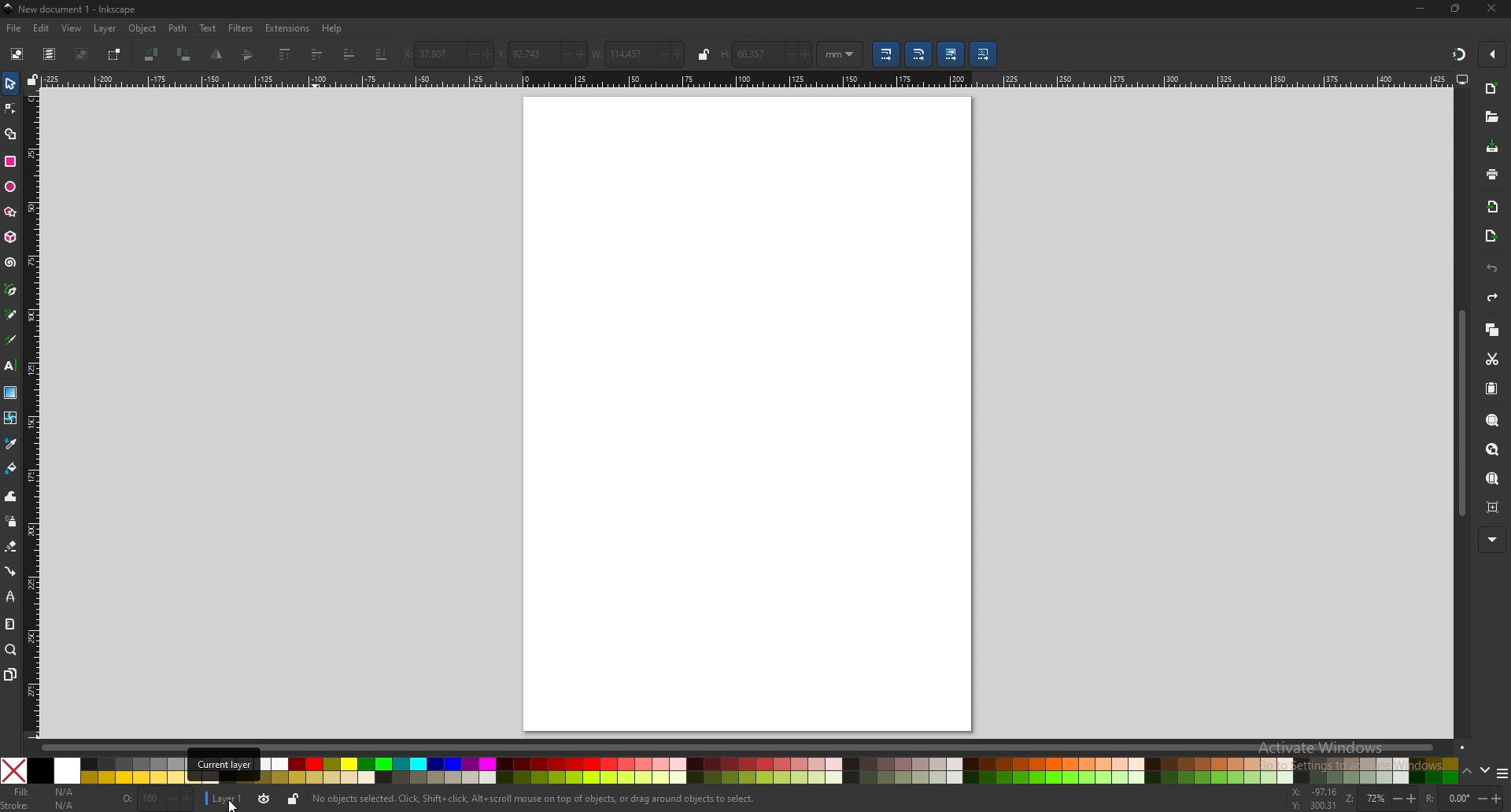  What do you see at coordinates (151, 55) in the screenshot?
I see `rotate 90 degree ccw` at bounding box center [151, 55].